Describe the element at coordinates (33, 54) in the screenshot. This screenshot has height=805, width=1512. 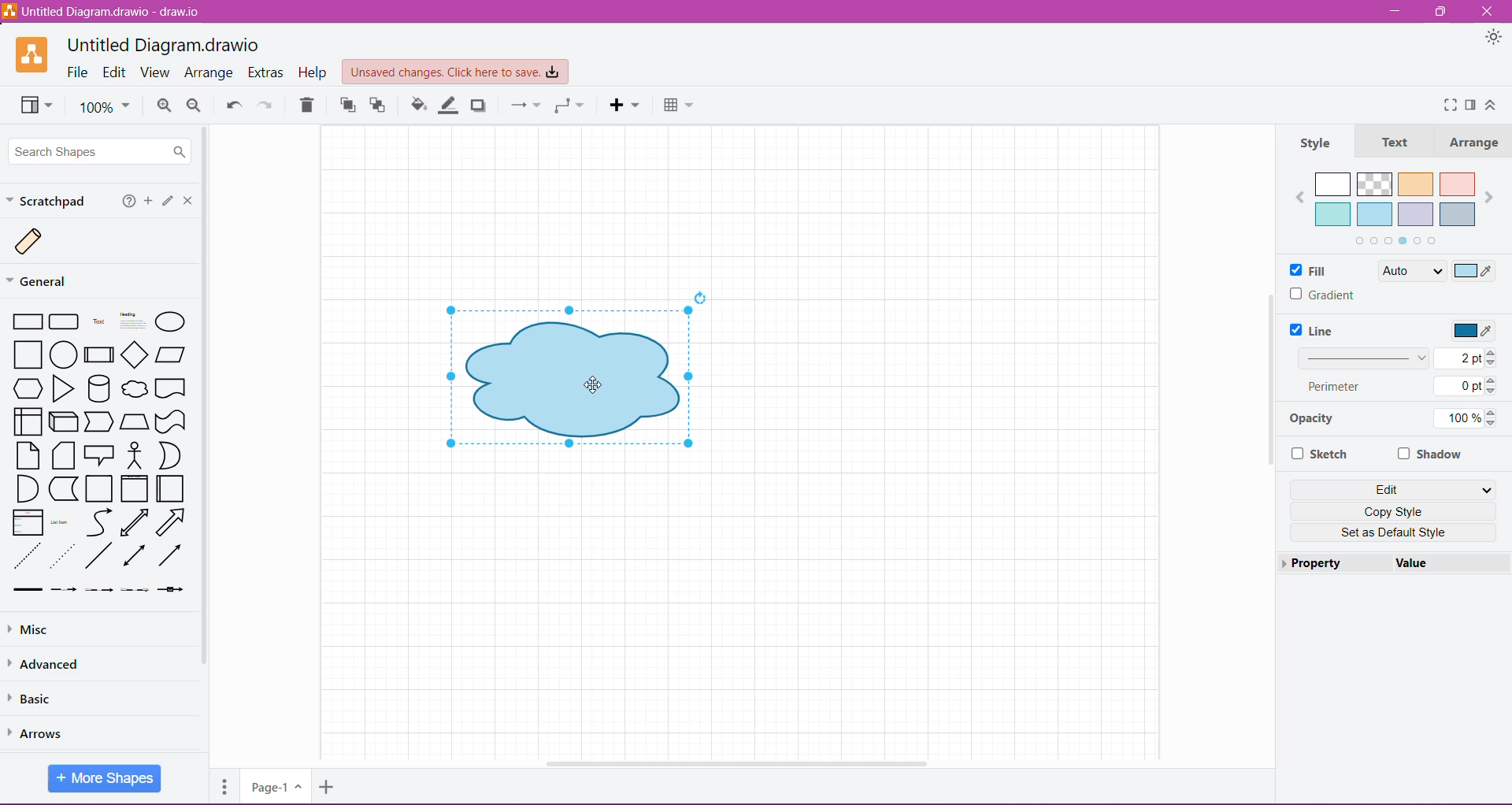
I see `Application Logo` at that location.